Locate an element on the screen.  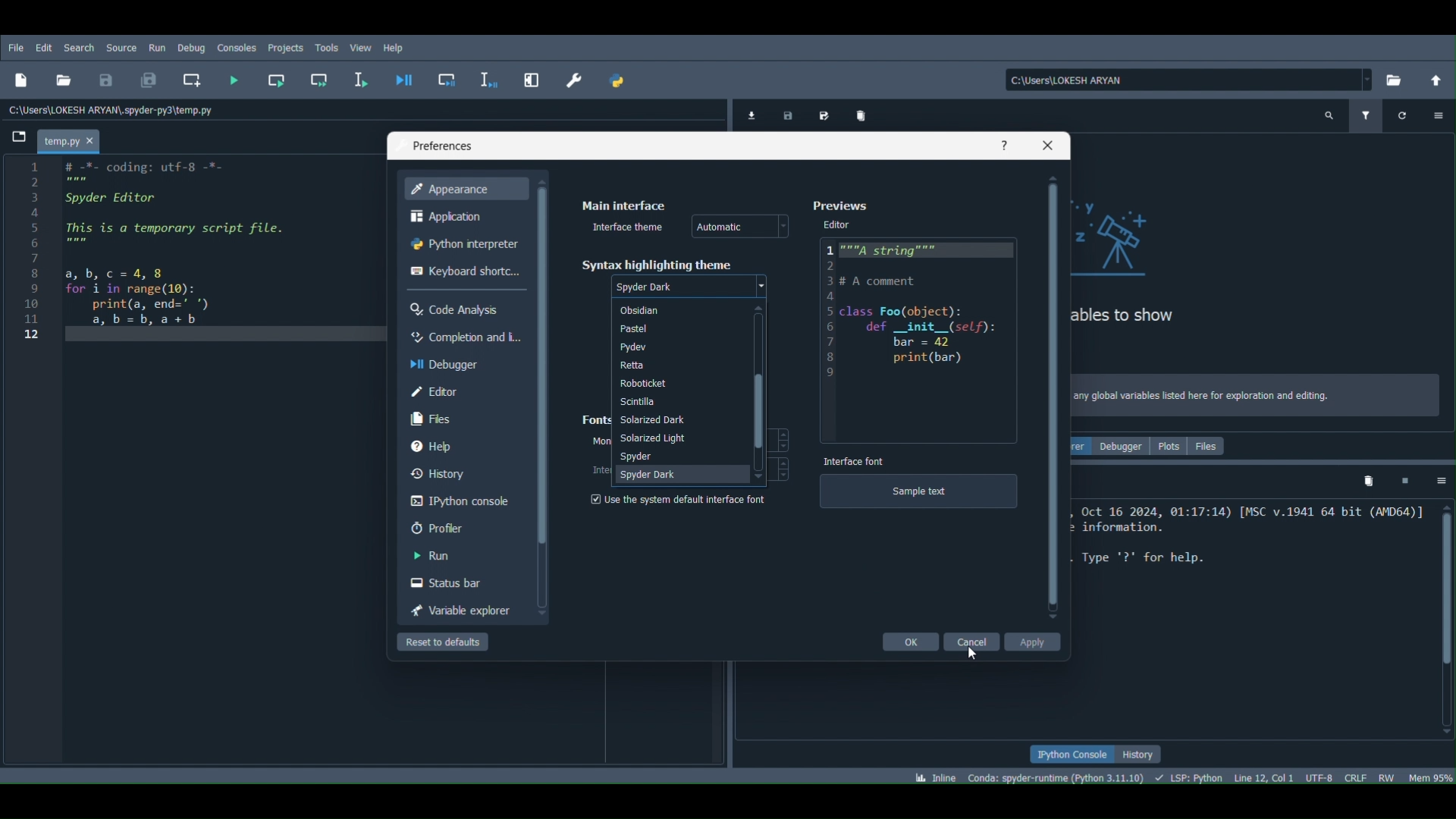
Plots is located at coordinates (1169, 447).